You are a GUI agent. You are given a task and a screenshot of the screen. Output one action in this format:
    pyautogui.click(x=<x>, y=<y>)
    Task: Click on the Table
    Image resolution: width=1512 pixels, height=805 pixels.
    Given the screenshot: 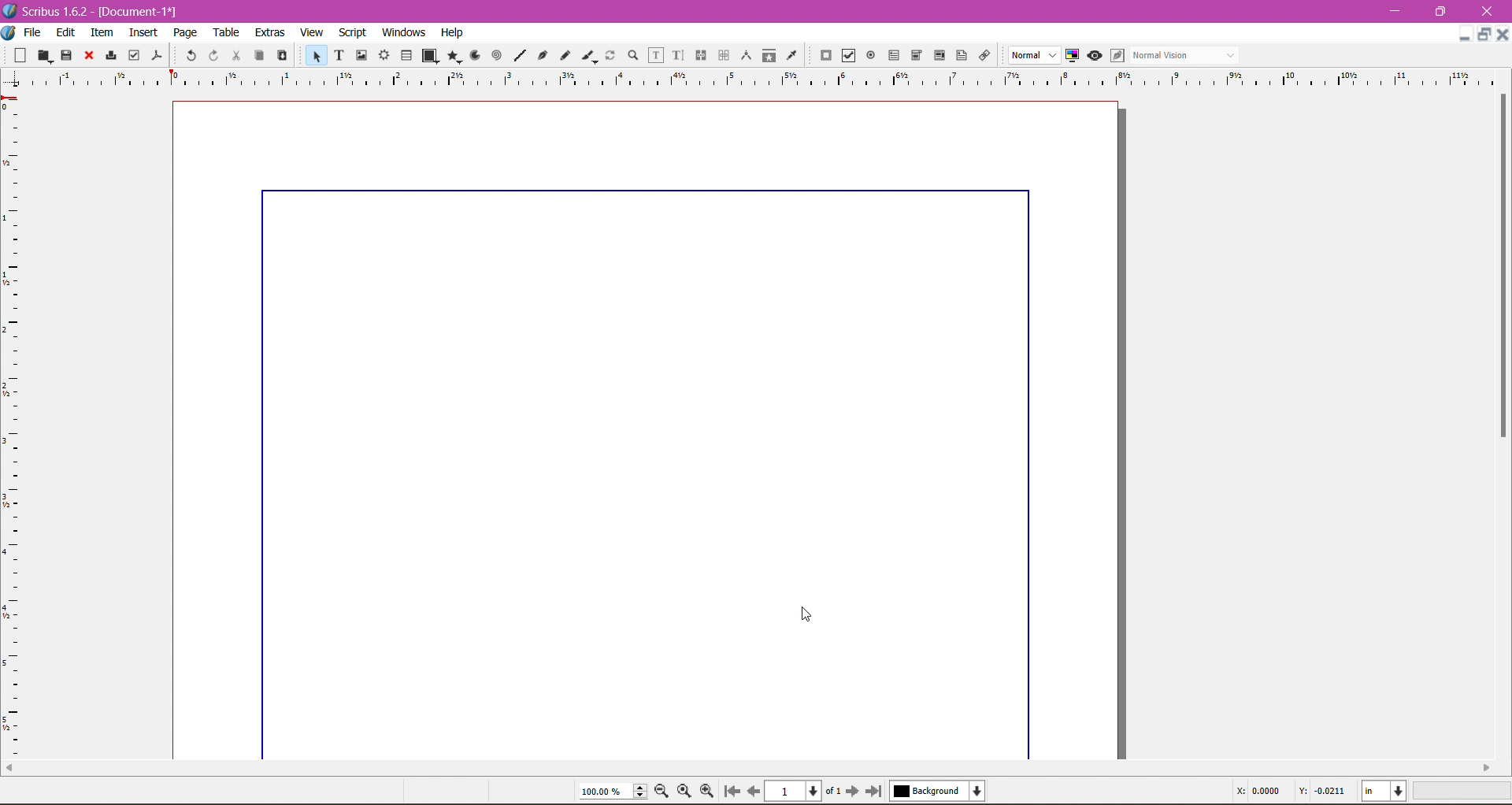 What is the action you would take?
    pyautogui.click(x=225, y=32)
    